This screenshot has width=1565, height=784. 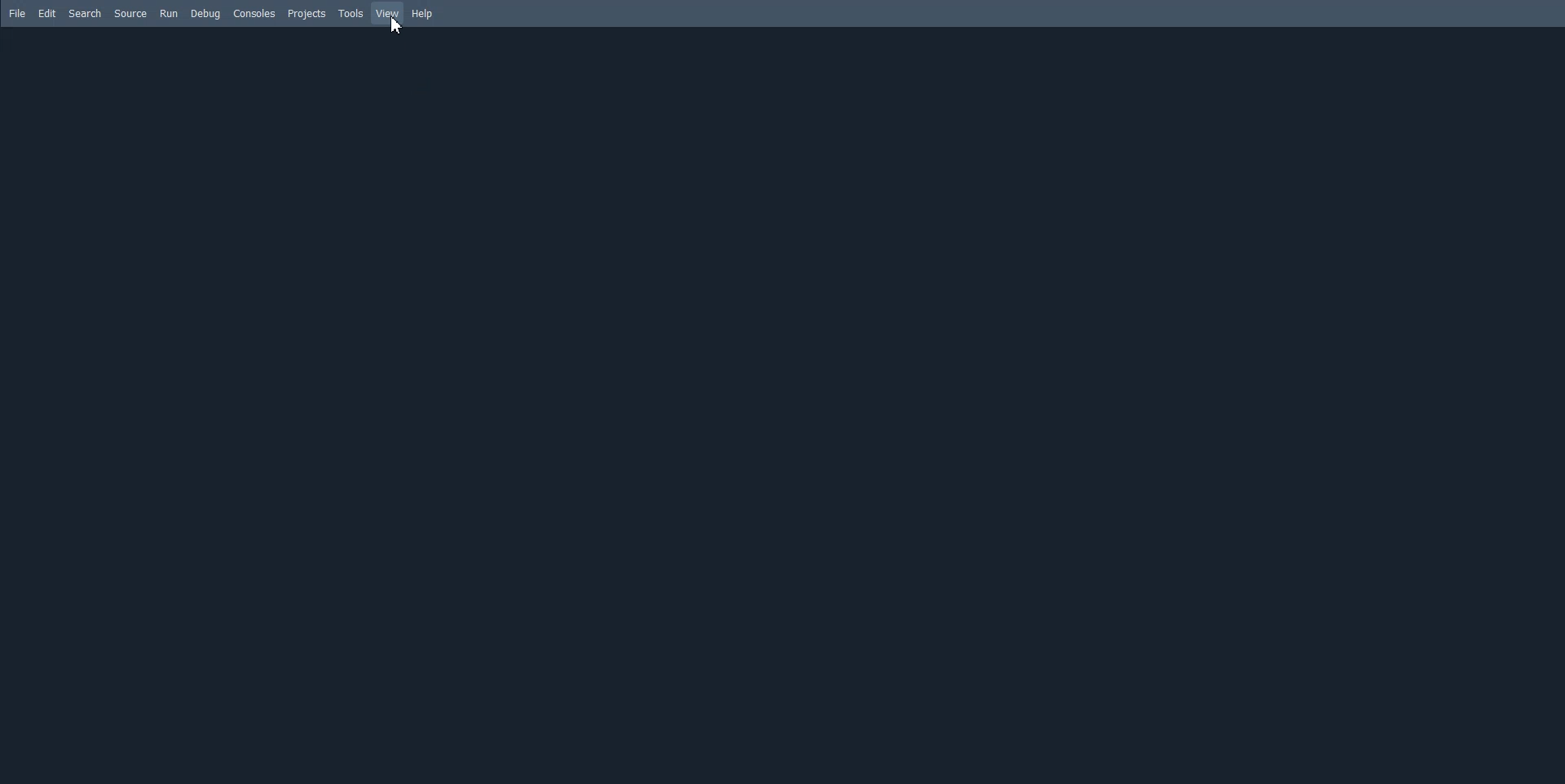 I want to click on Tools, so click(x=350, y=13).